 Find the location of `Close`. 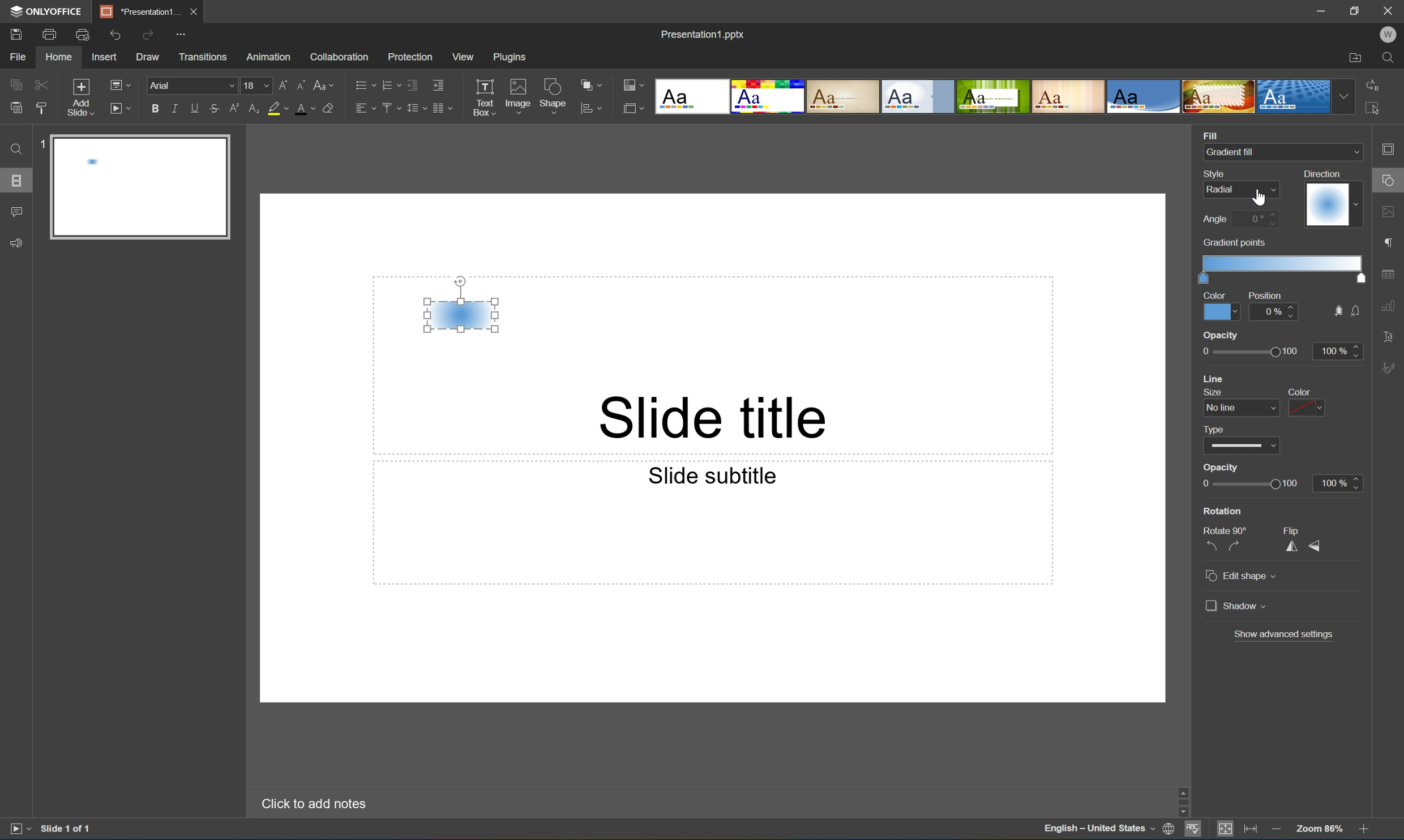

Close is located at coordinates (192, 10).